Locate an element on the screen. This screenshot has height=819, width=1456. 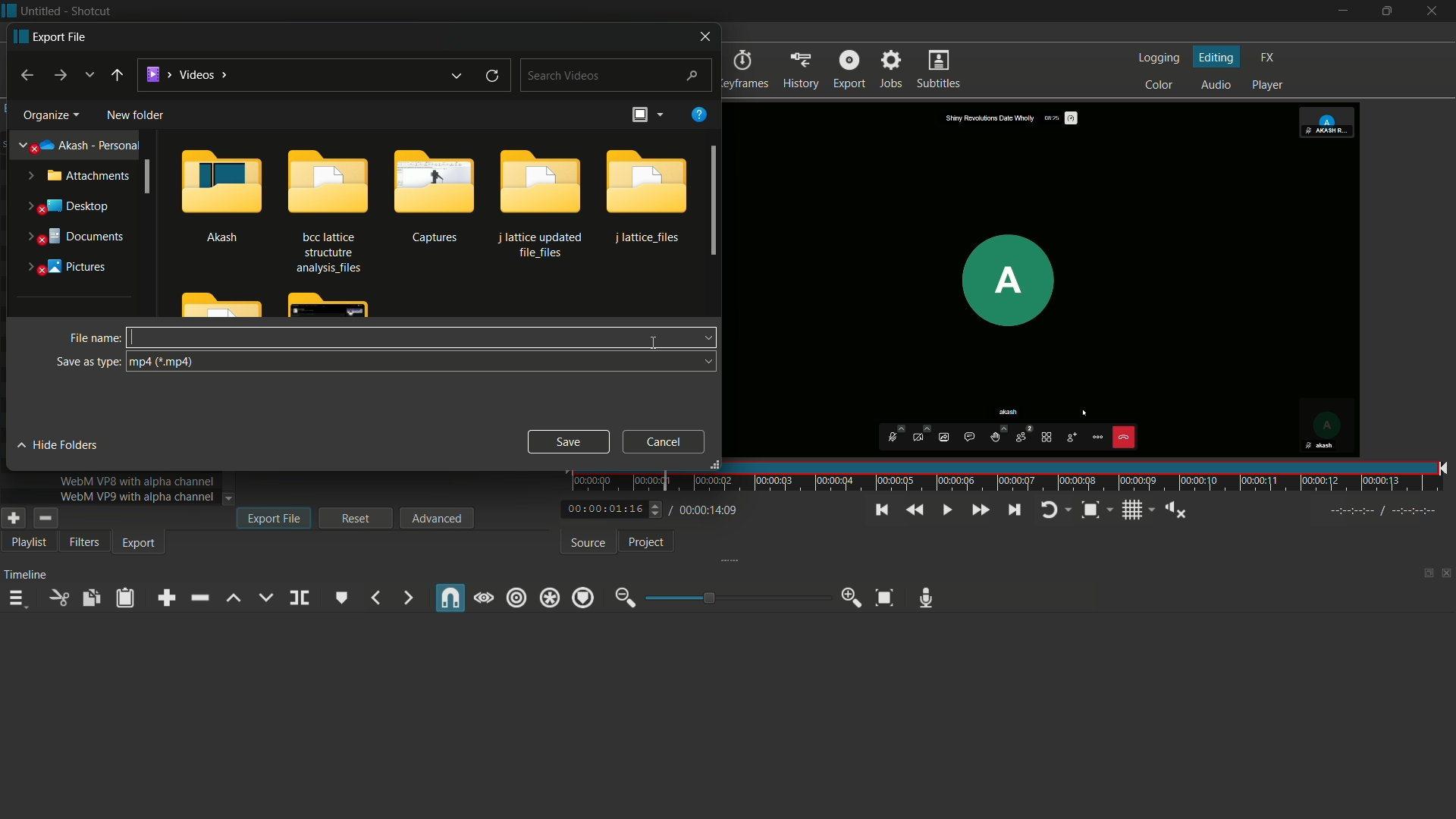
new folder is located at coordinates (136, 115).